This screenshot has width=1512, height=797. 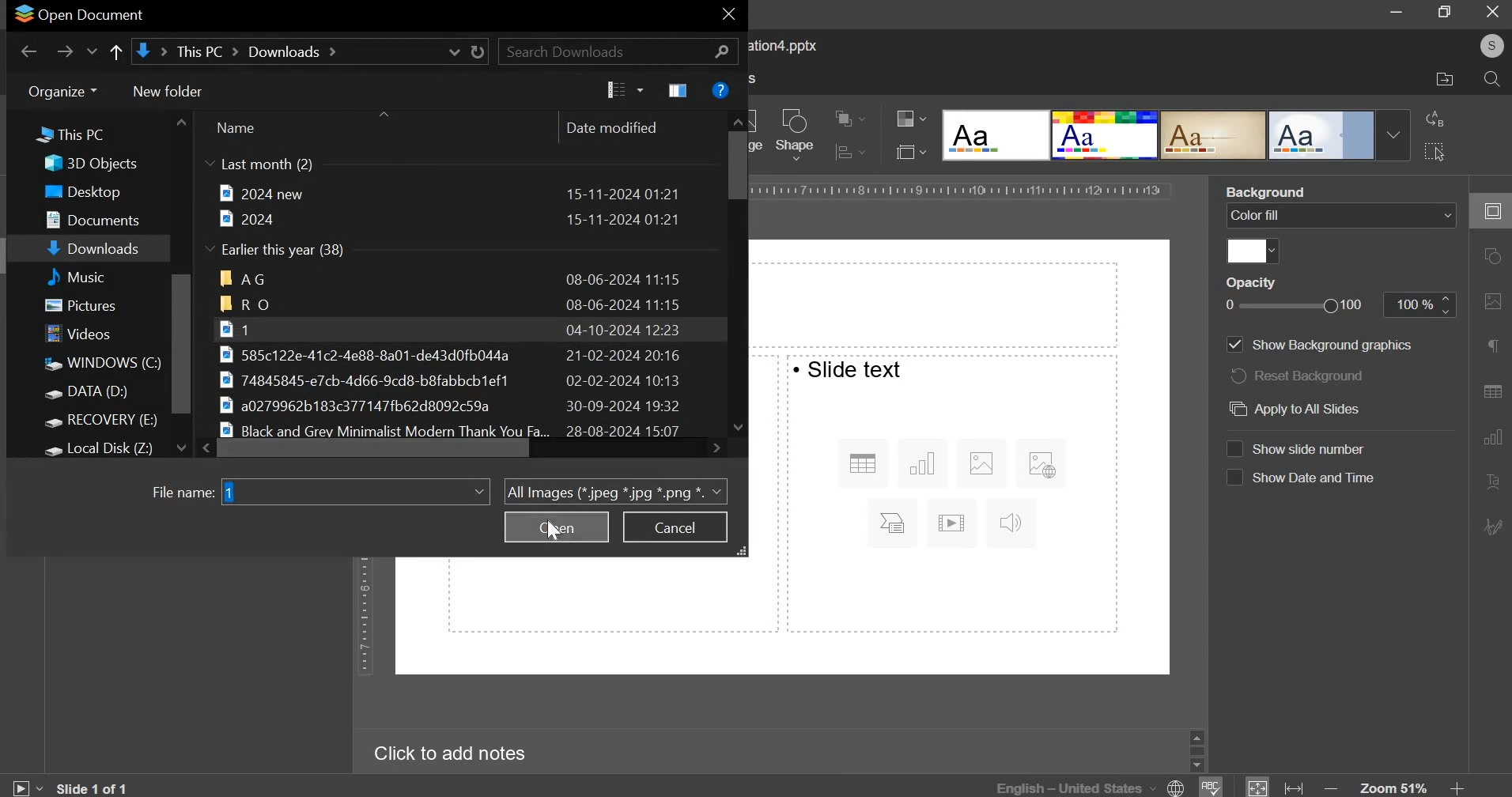 I want to click on change color theme, so click(x=905, y=119).